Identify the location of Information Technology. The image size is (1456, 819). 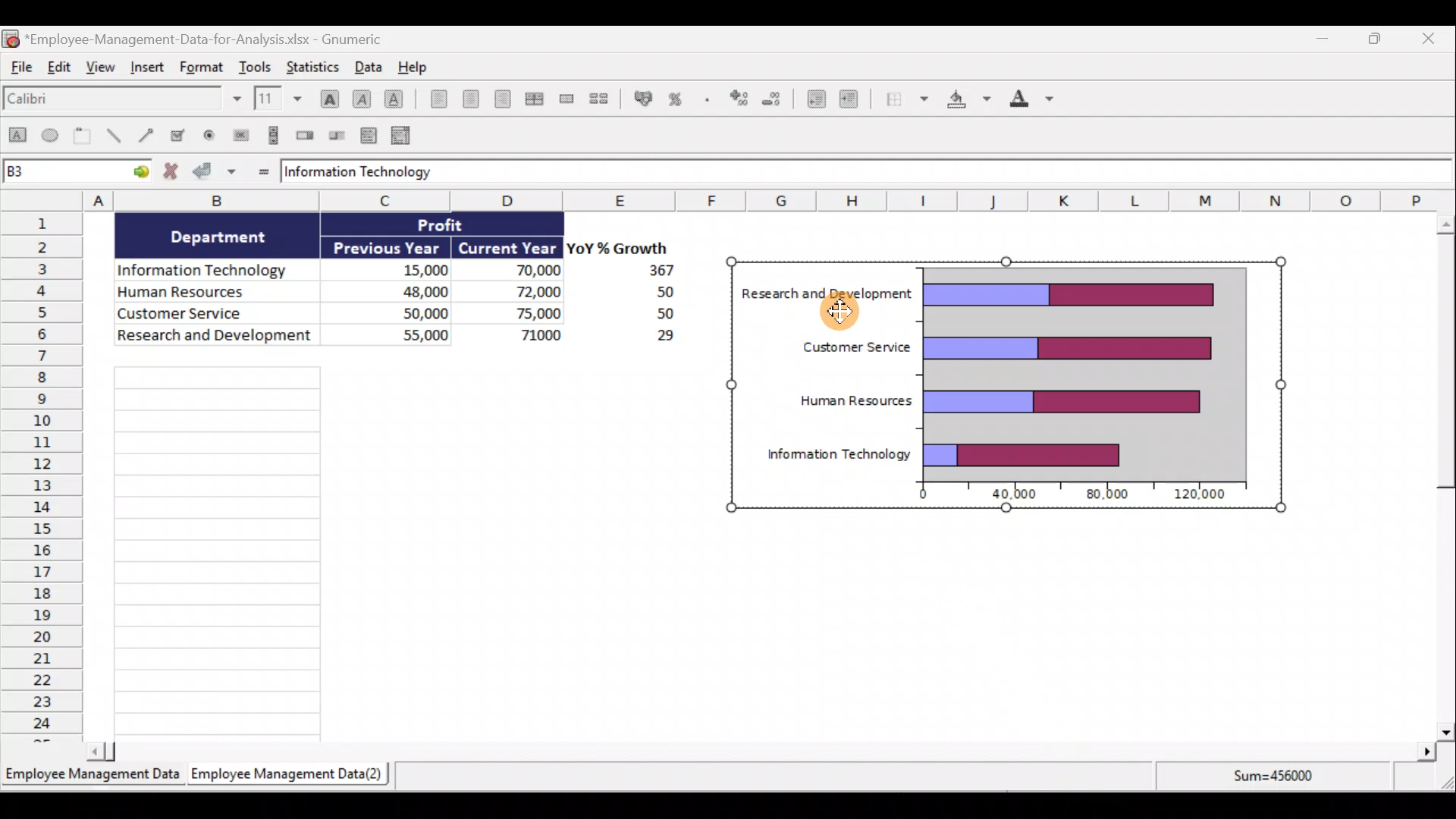
(838, 455).